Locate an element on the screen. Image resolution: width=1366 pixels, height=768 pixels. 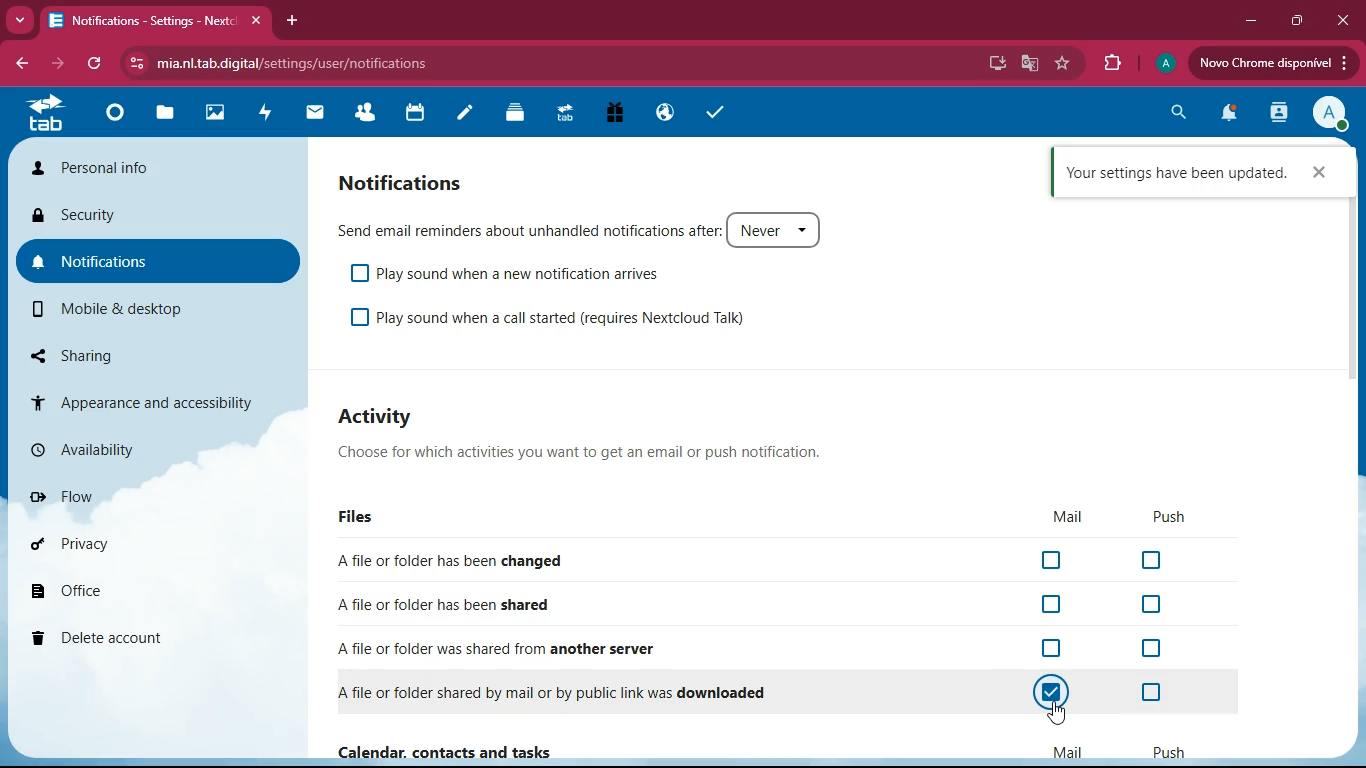
off is located at coordinates (1047, 696).